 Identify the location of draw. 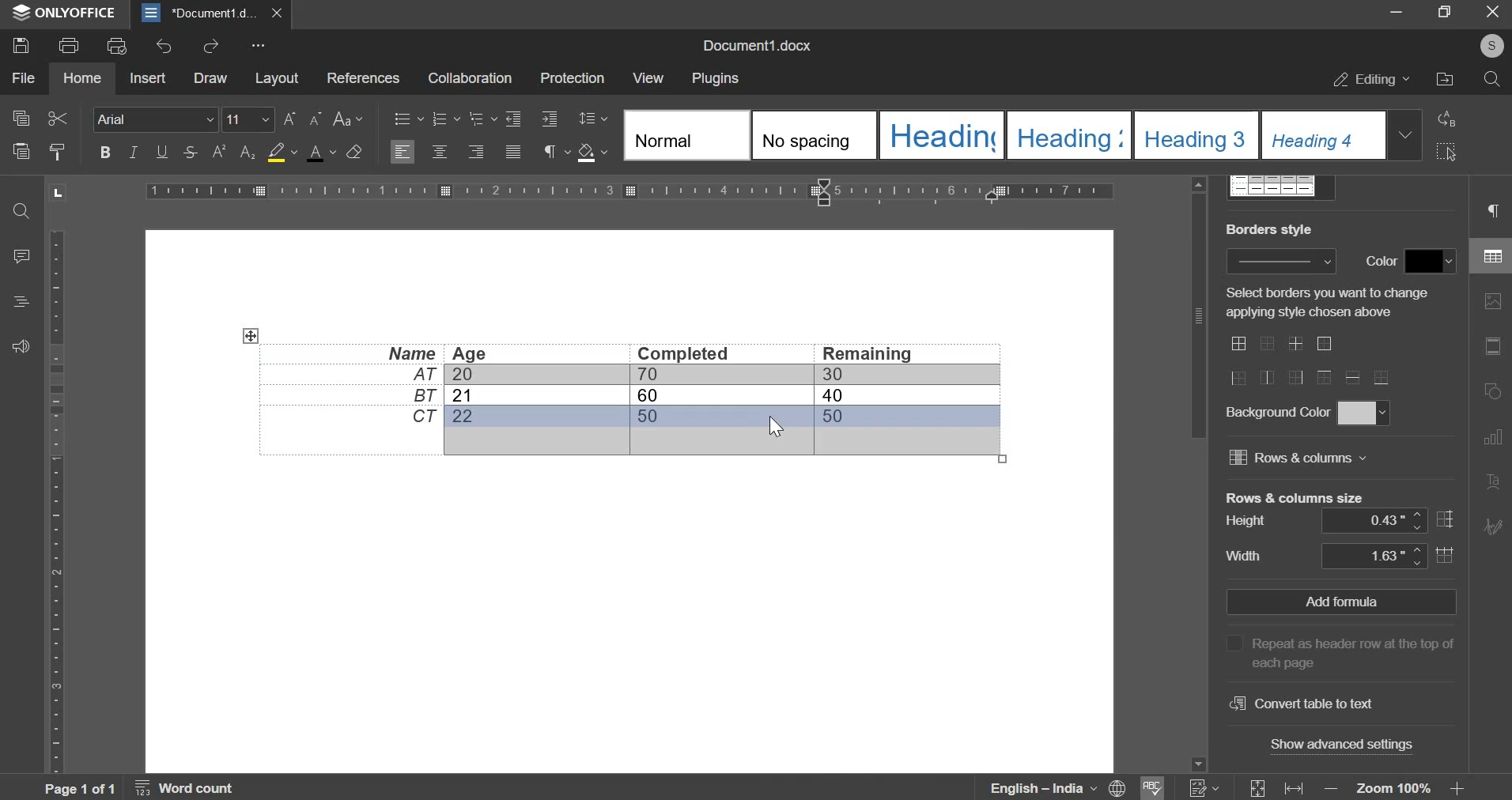
(210, 77).